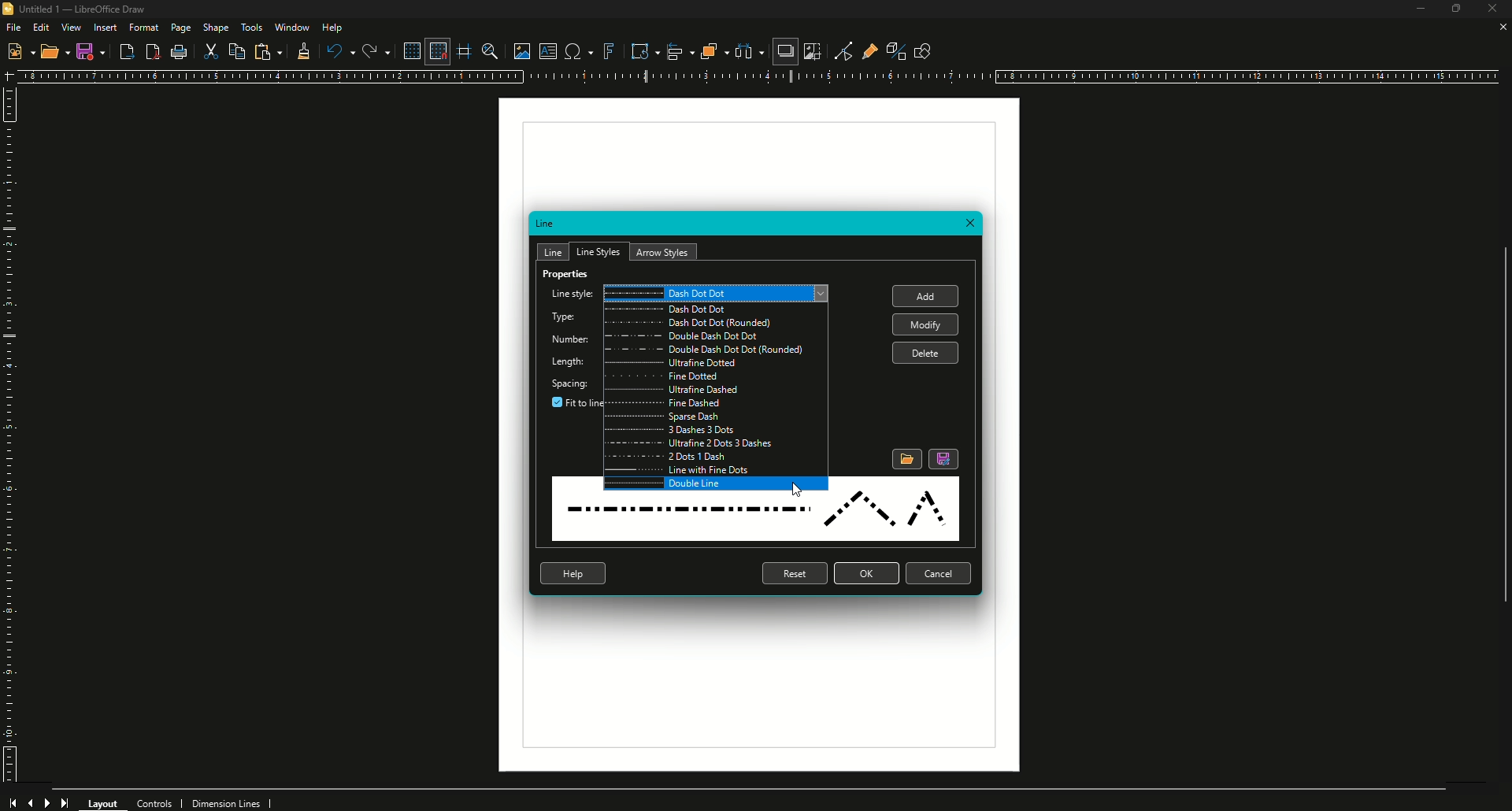  What do you see at coordinates (104, 802) in the screenshot?
I see `Layout` at bounding box center [104, 802].